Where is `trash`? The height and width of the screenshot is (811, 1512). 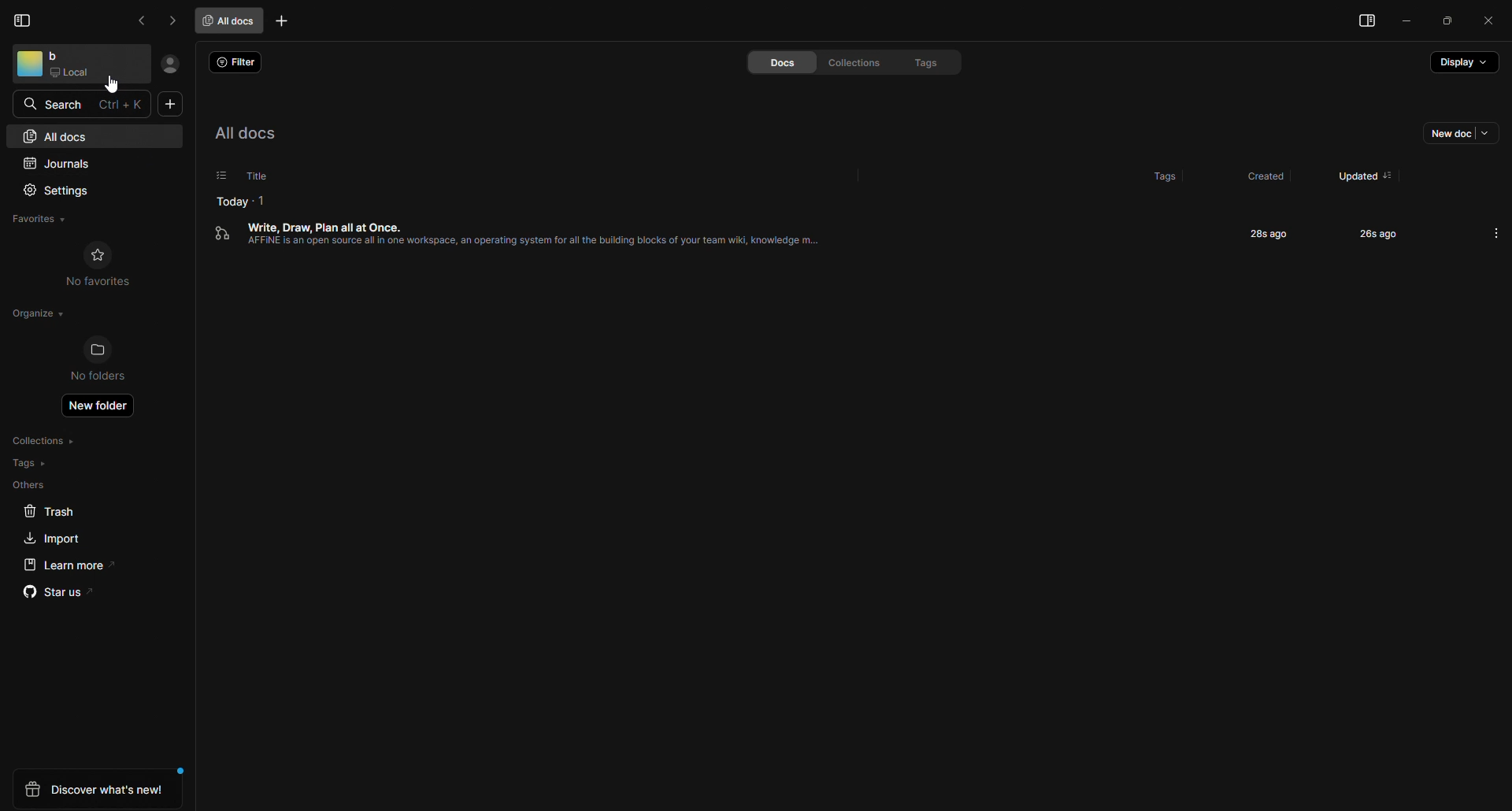
trash is located at coordinates (50, 512).